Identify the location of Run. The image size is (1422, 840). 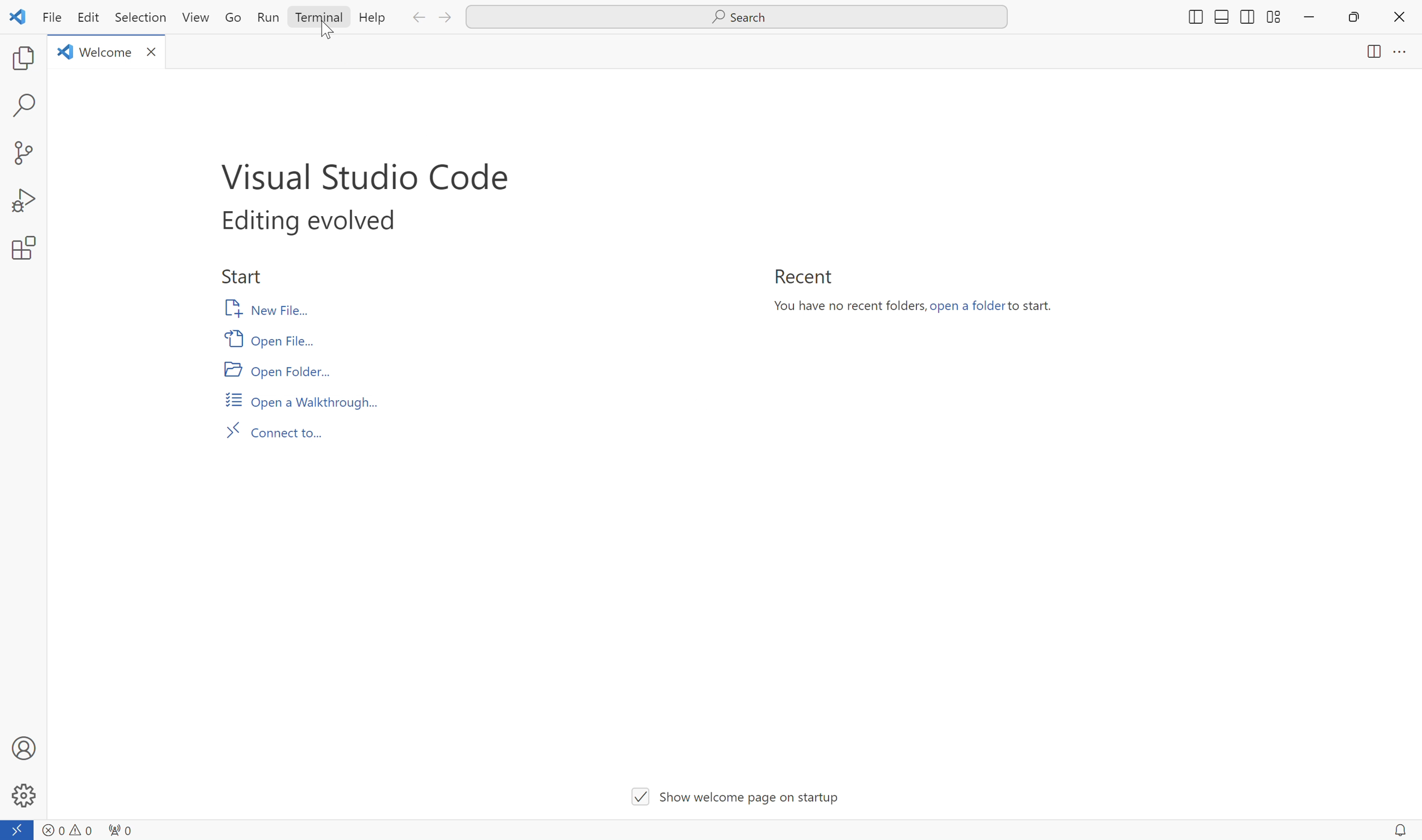
(267, 16).